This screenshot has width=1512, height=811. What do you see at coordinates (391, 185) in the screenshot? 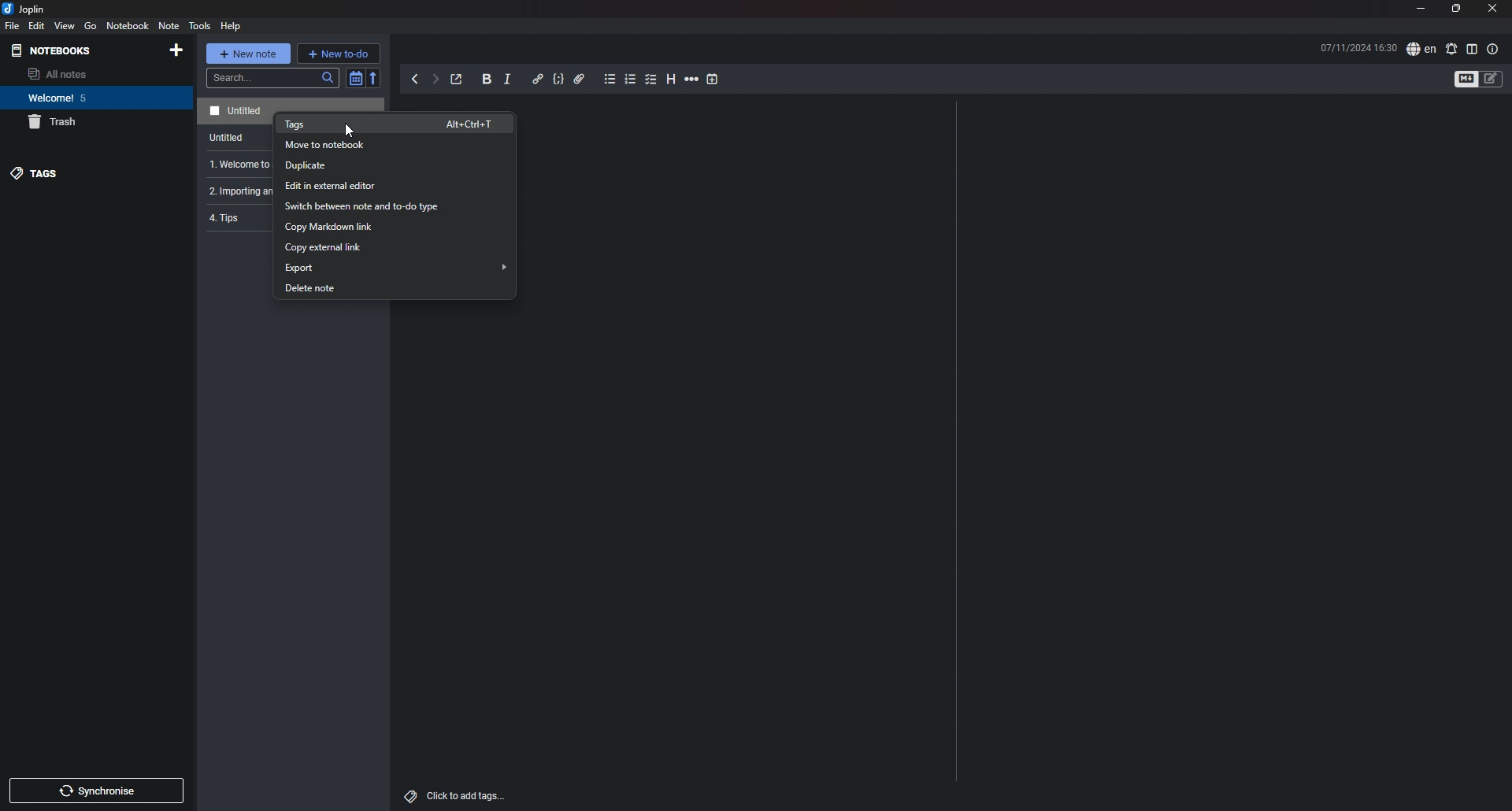
I see `edit in external editor` at bounding box center [391, 185].